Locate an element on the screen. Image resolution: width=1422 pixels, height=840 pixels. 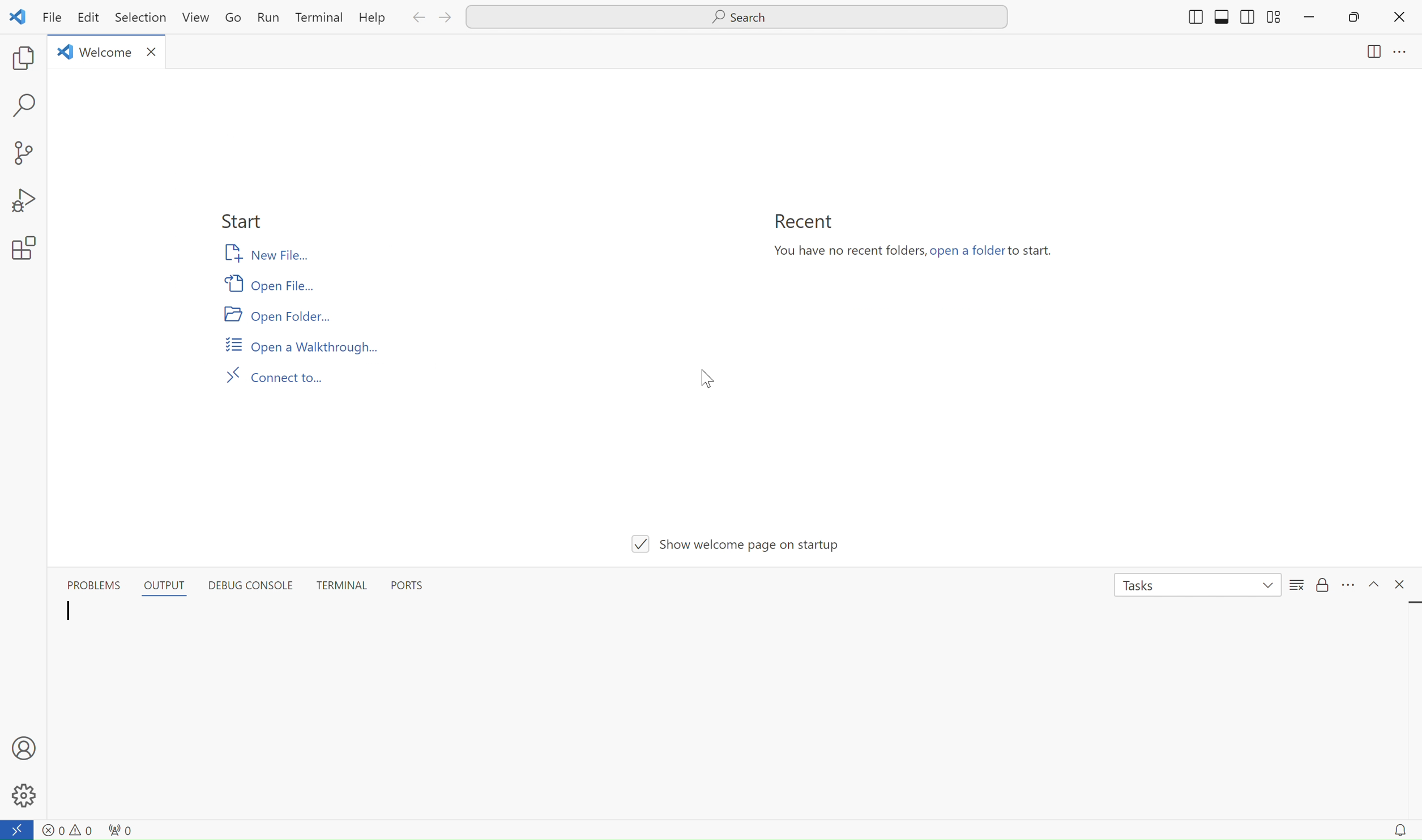
close is located at coordinates (1403, 584).